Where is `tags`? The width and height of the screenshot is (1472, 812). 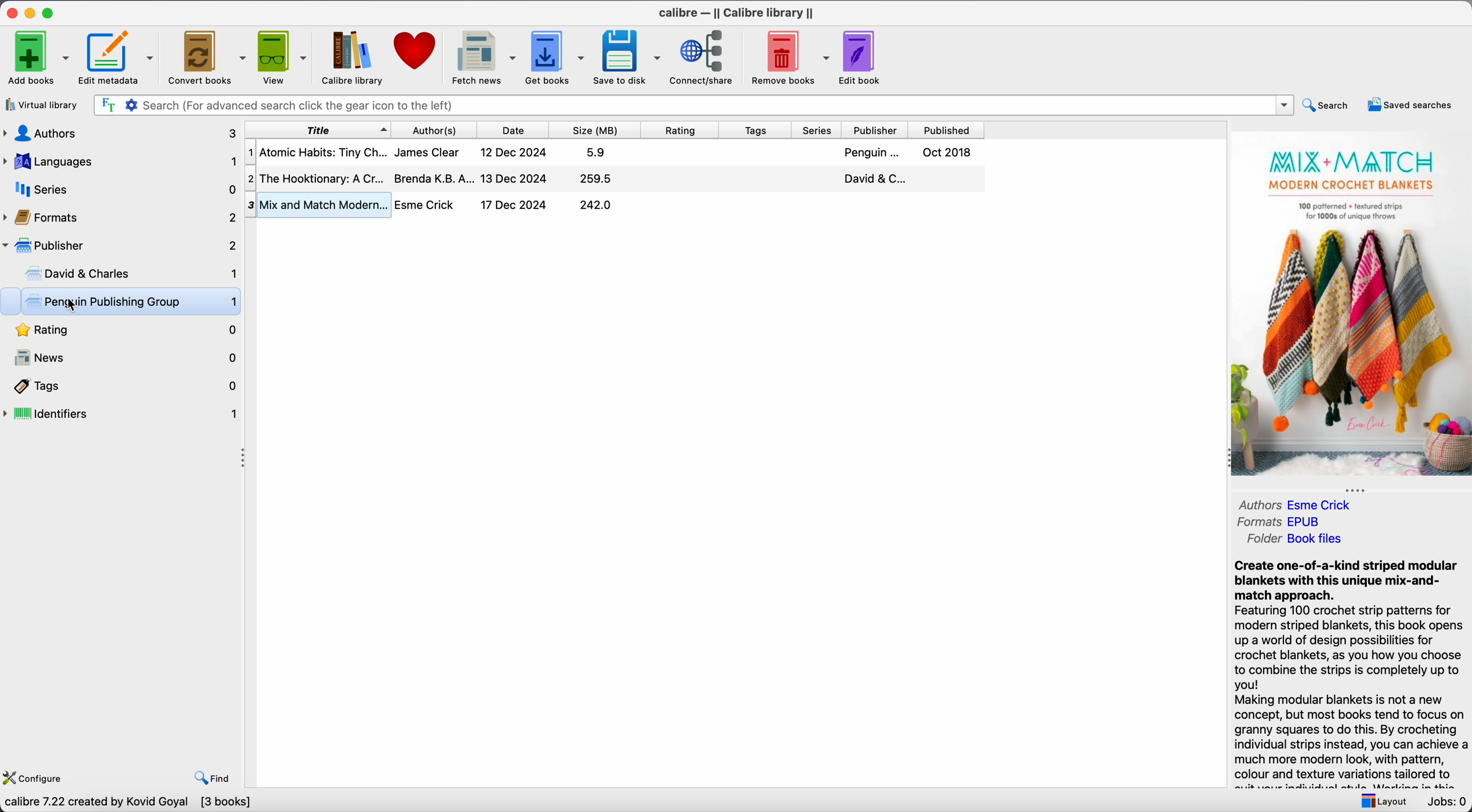
tags is located at coordinates (122, 386).